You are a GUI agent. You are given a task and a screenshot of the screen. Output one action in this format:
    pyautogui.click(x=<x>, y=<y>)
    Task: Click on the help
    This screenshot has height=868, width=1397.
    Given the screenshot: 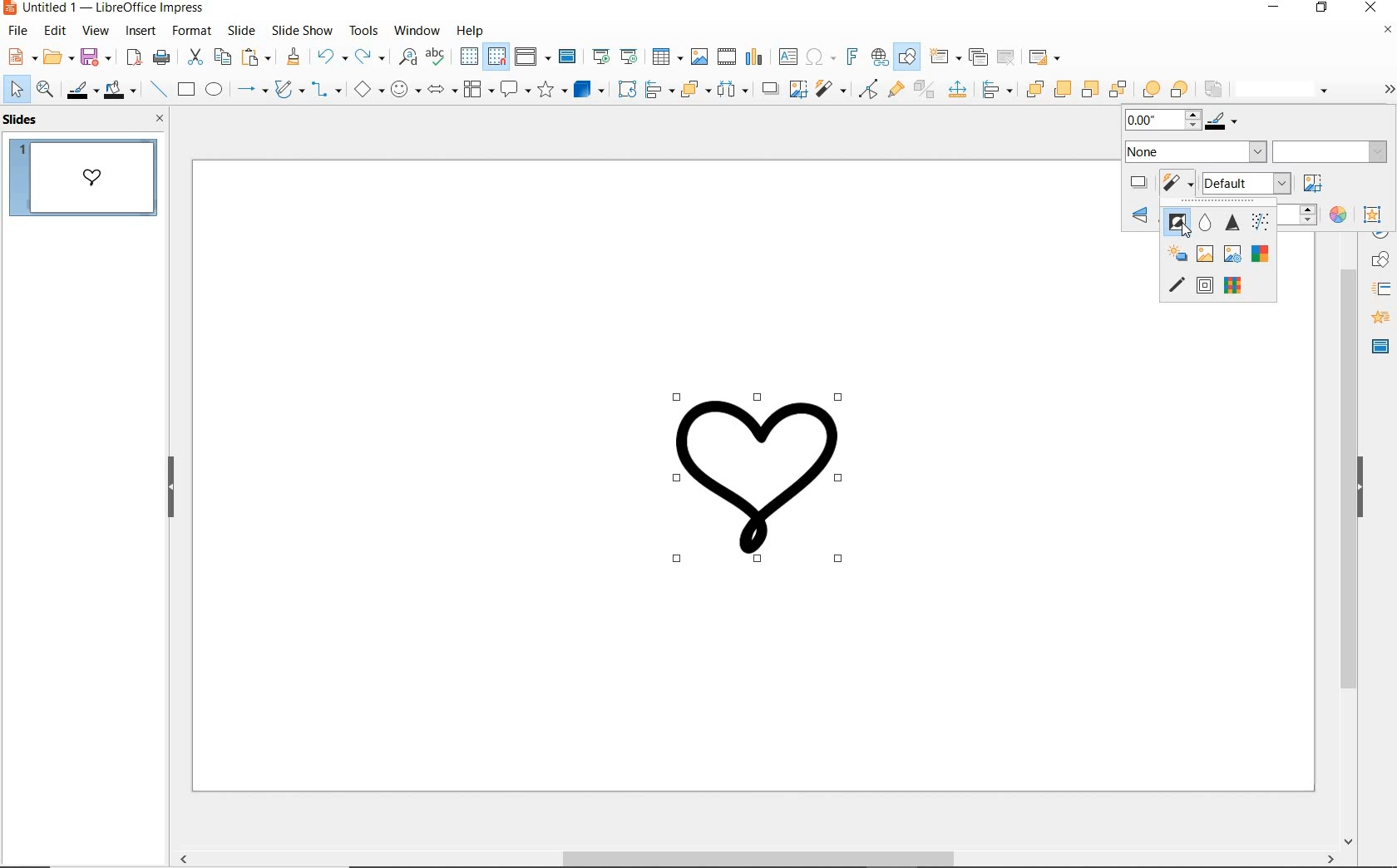 What is the action you would take?
    pyautogui.click(x=469, y=32)
    